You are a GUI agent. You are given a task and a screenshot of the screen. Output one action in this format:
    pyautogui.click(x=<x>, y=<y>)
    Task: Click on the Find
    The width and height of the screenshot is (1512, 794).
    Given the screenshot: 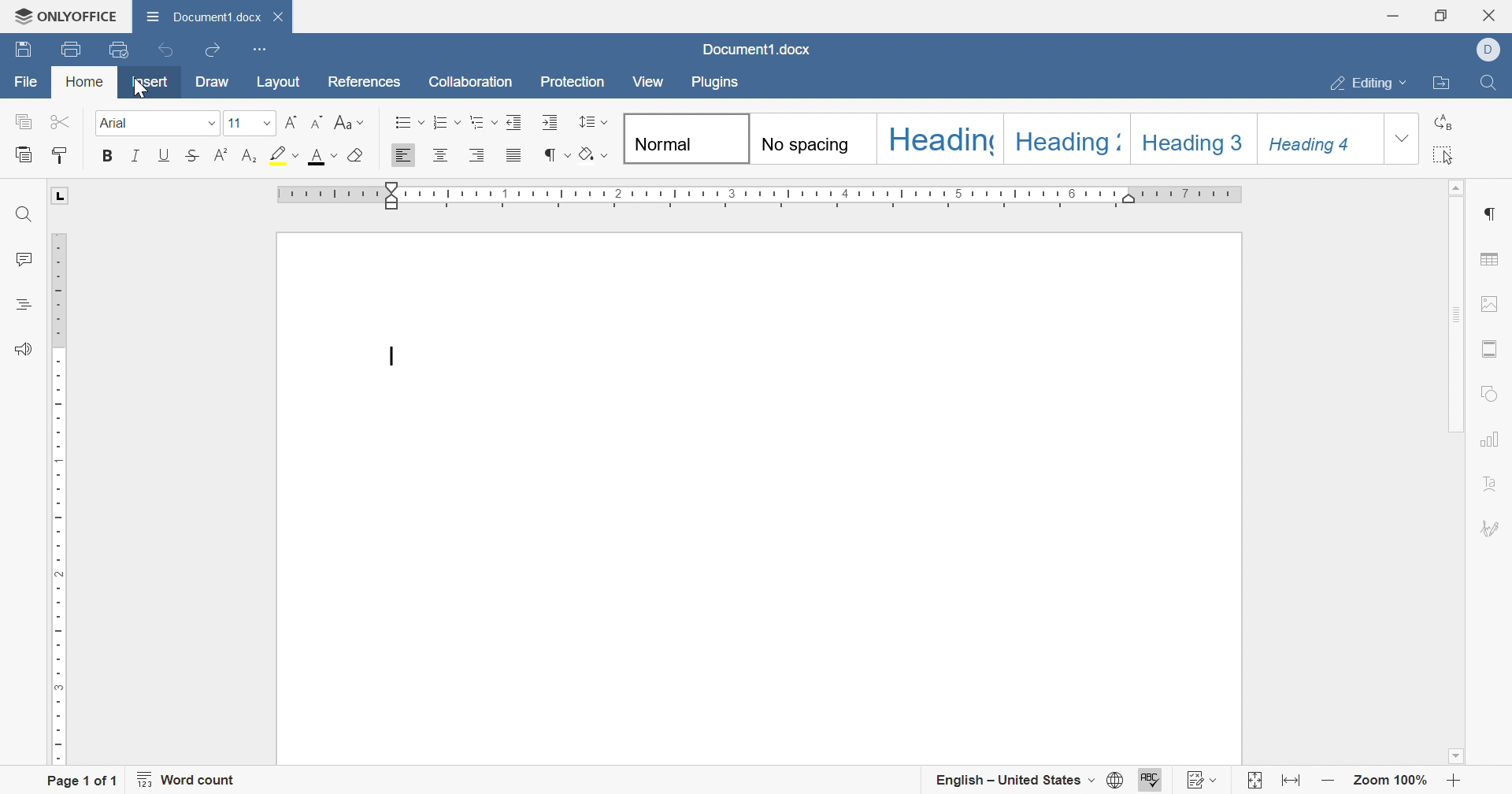 What is the action you would take?
    pyautogui.click(x=24, y=214)
    